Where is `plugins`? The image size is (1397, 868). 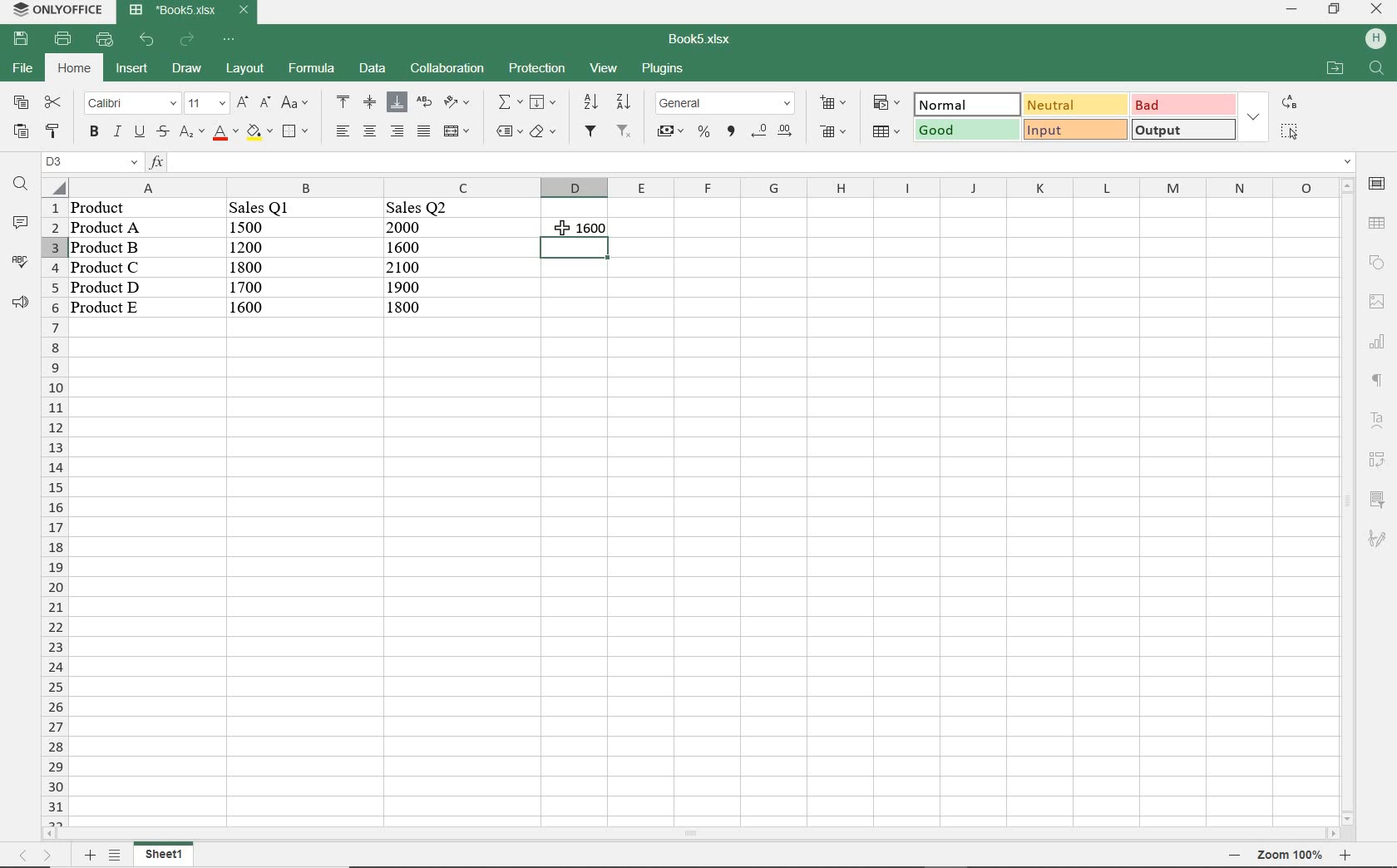
plugins is located at coordinates (664, 67).